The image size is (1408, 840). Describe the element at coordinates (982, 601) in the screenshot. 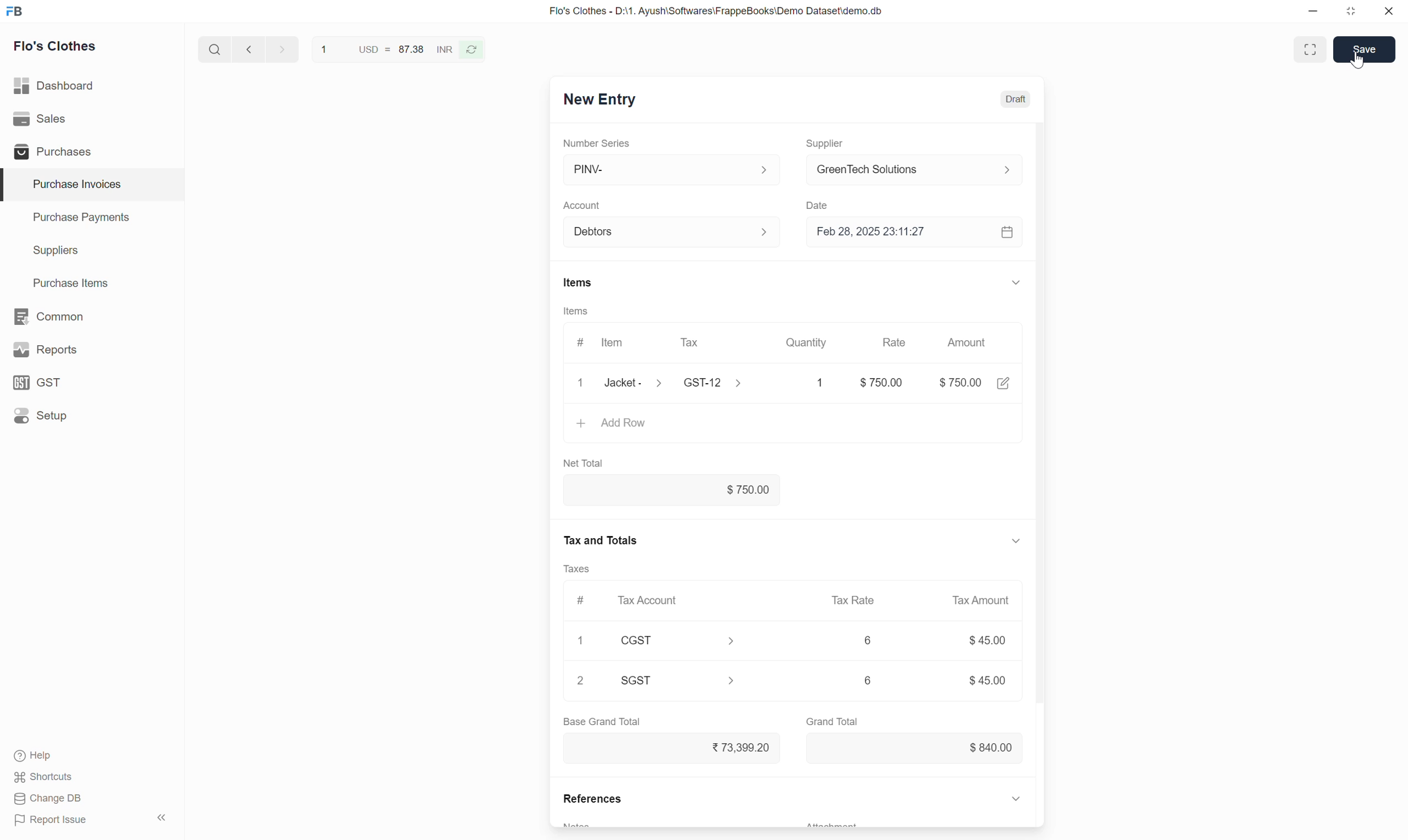

I see `Tax Amount` at that location.